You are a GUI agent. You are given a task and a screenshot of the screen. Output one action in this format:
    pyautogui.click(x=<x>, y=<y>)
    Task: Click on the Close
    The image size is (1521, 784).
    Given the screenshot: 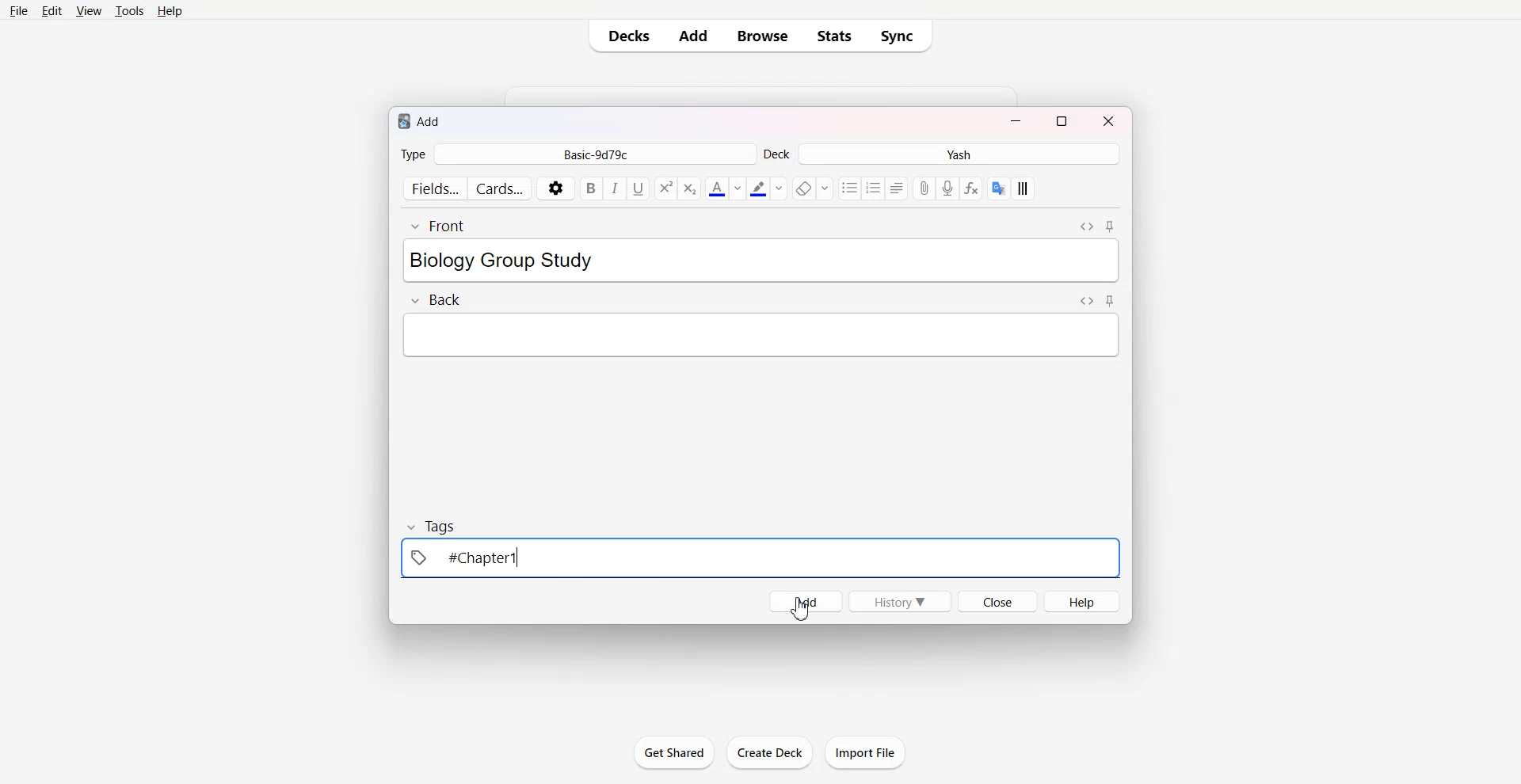 What is the action you would take?
    pyautogui.click(x=1106, y=120)
    